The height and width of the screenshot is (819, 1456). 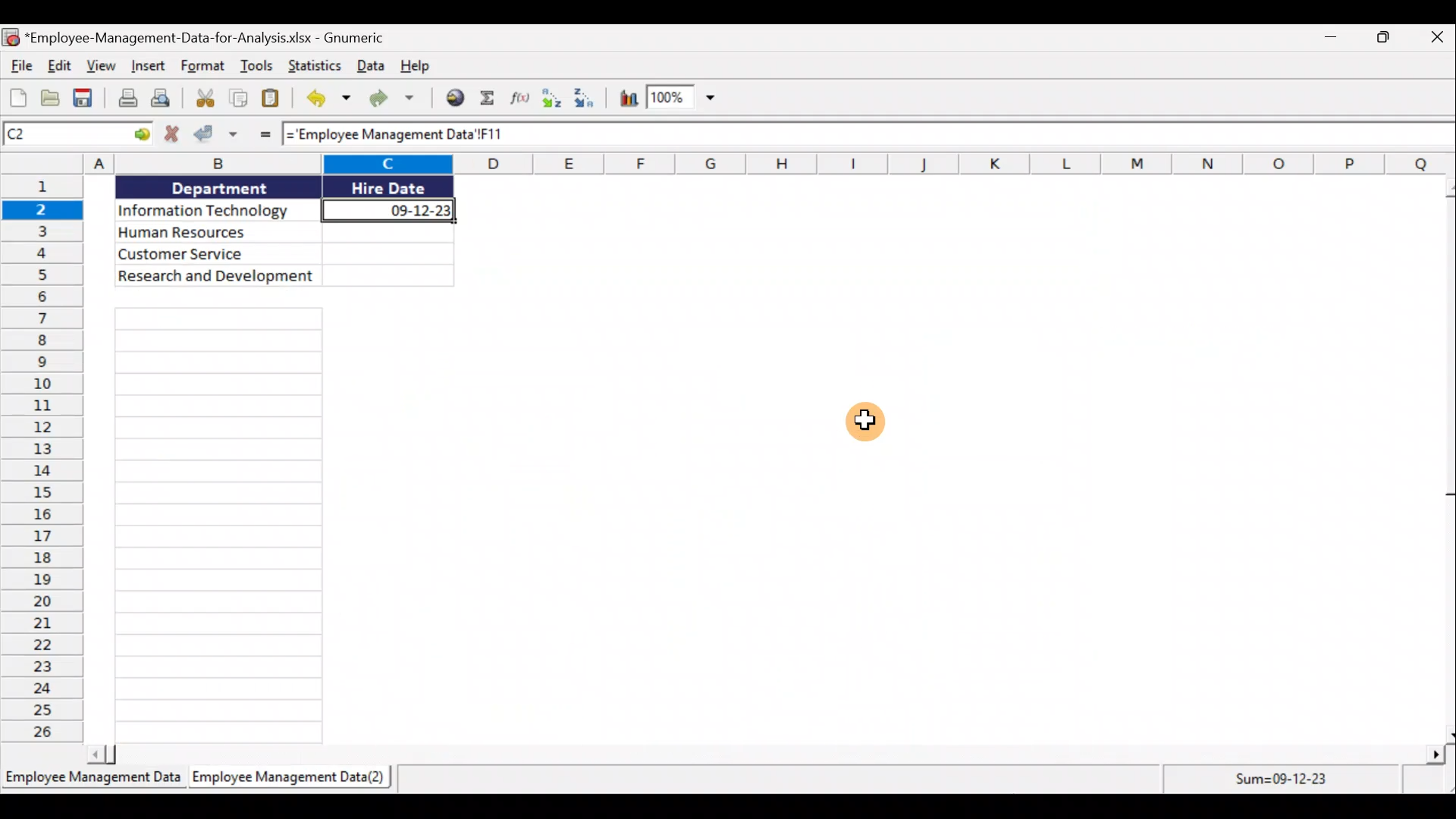 What do you see at coordinates (165, 99) in the screenshot?
I see `Print preview` at bounding box center [165, 99].